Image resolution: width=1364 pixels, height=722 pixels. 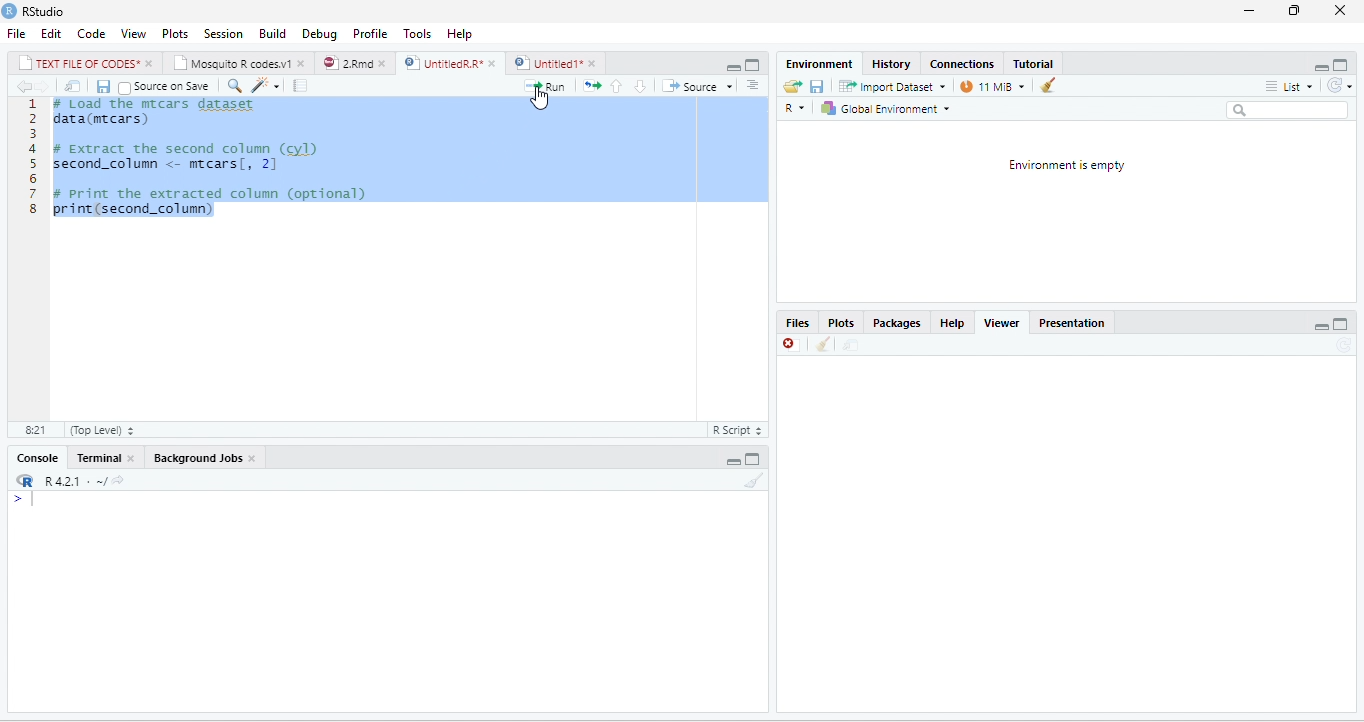 I want to click on 14 MB, so click(x=993, y=86).